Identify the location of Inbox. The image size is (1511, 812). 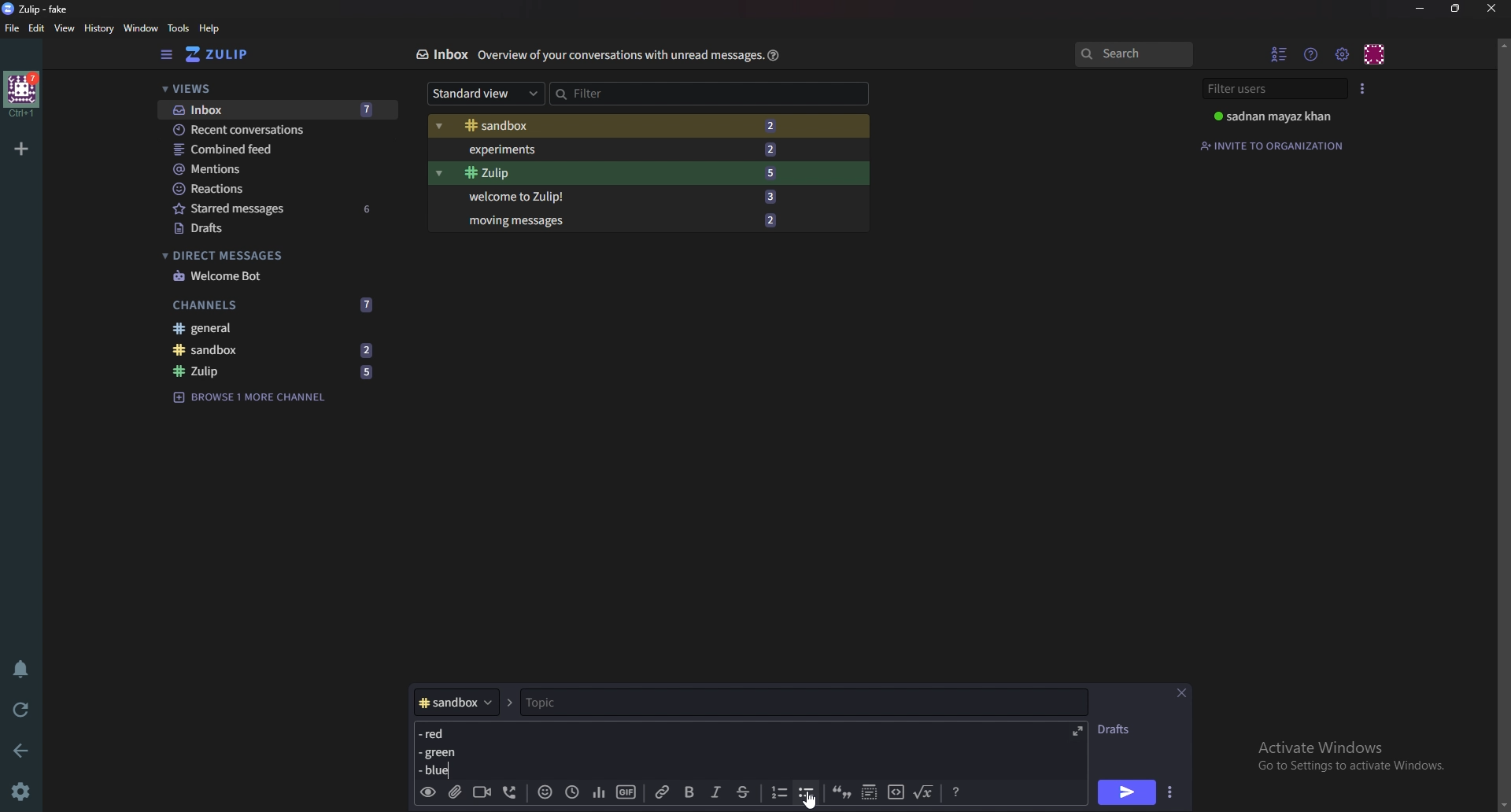
(276, 111).